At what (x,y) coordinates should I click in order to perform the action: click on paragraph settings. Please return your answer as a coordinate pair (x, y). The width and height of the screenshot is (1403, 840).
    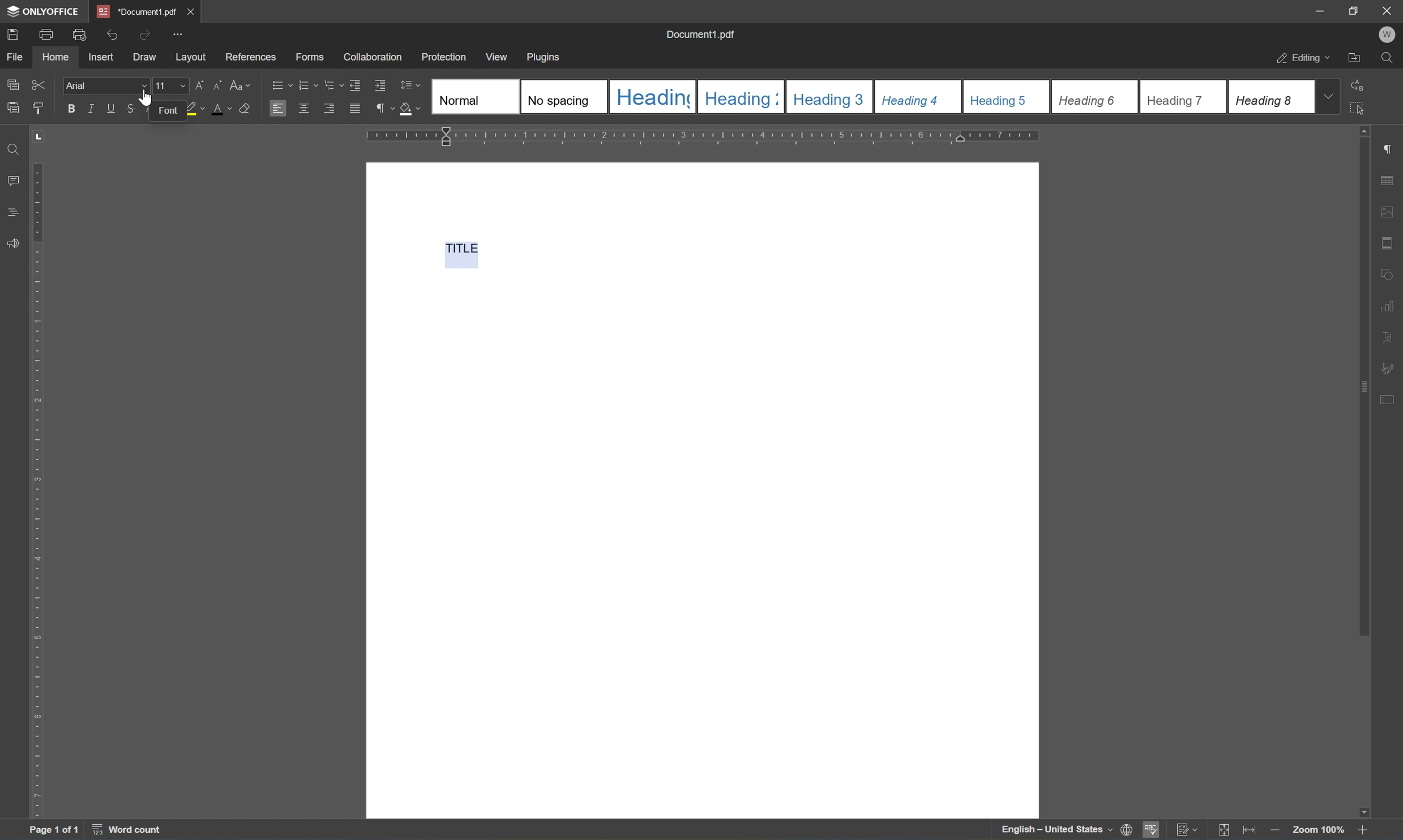
    Looking at the image, I should click on (1392, 148).